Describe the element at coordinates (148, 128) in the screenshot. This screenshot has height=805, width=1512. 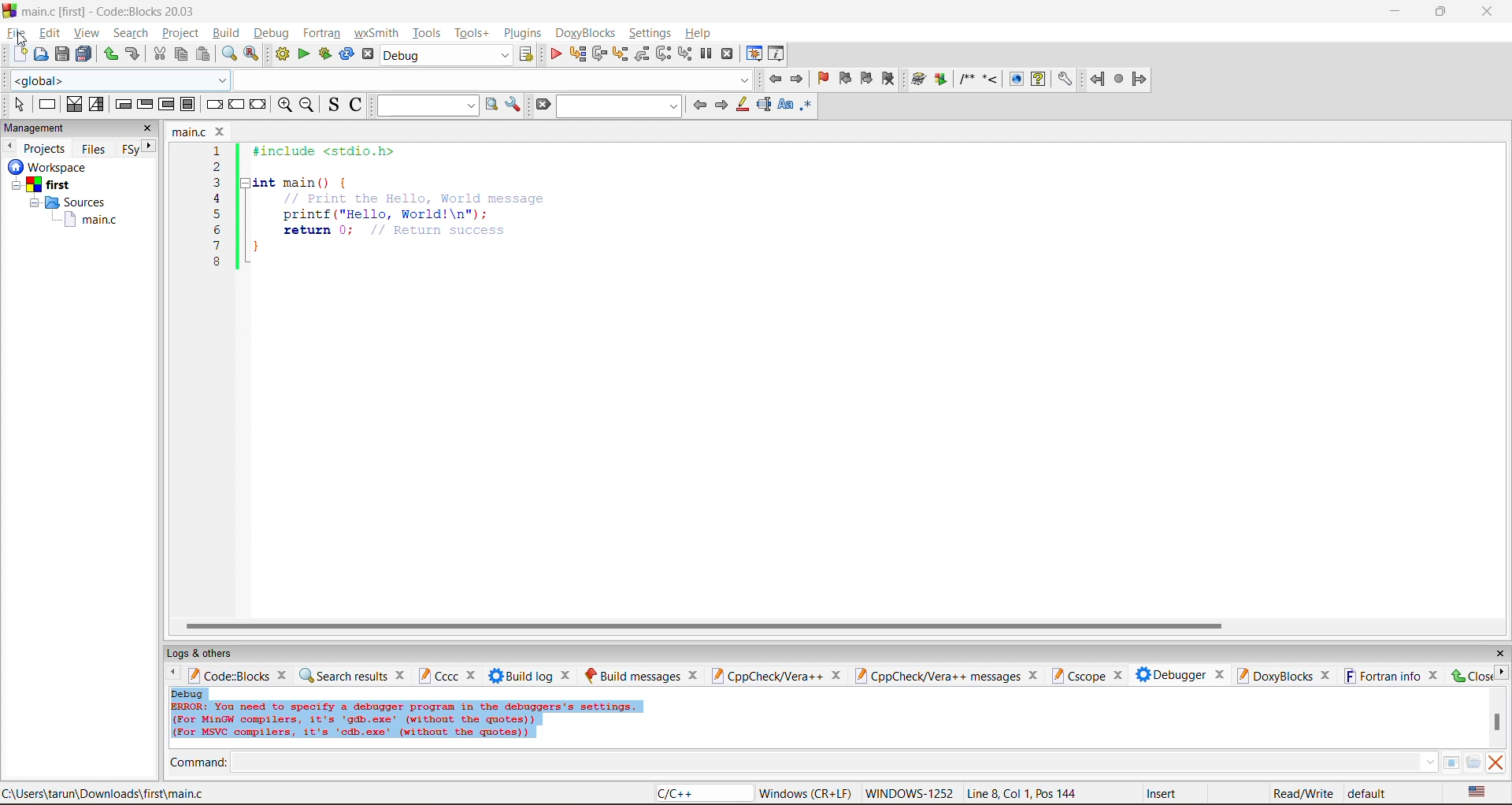
I see `close` at that location.